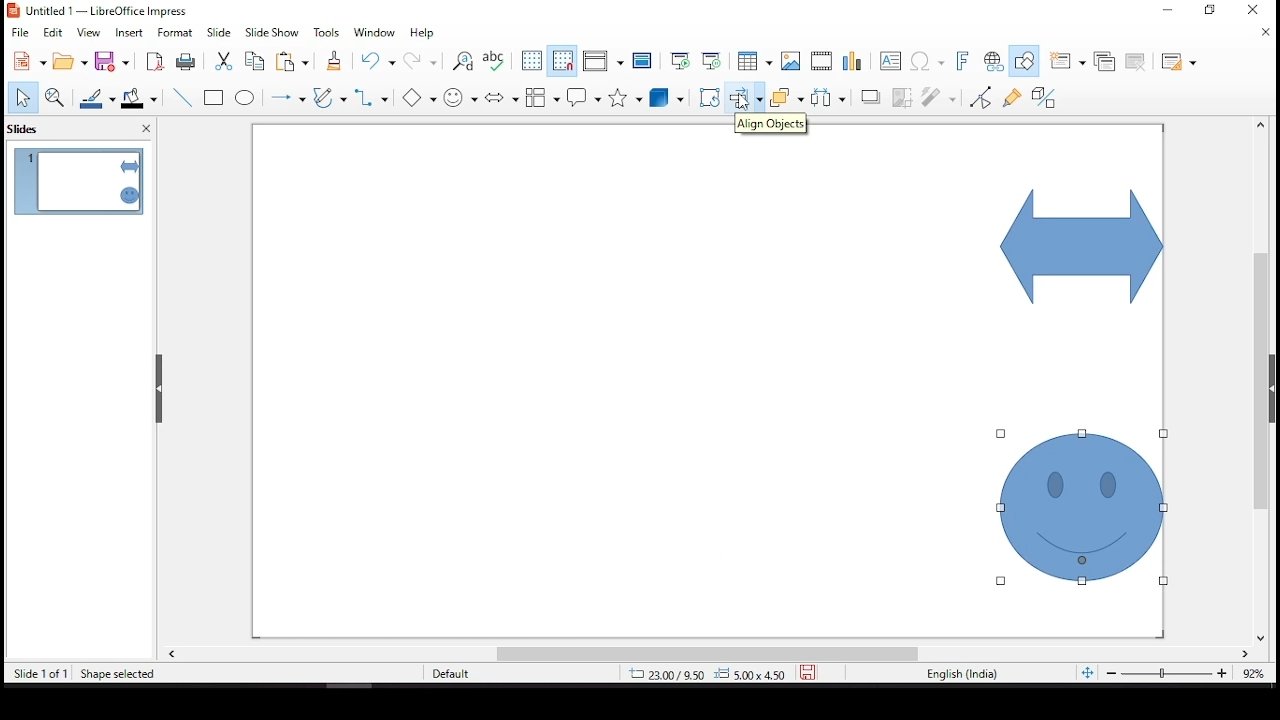 The image size is (1280, 720). Describe the element at coordinates (708, 62) in the screenshot. I see `start from current slide` at that location.